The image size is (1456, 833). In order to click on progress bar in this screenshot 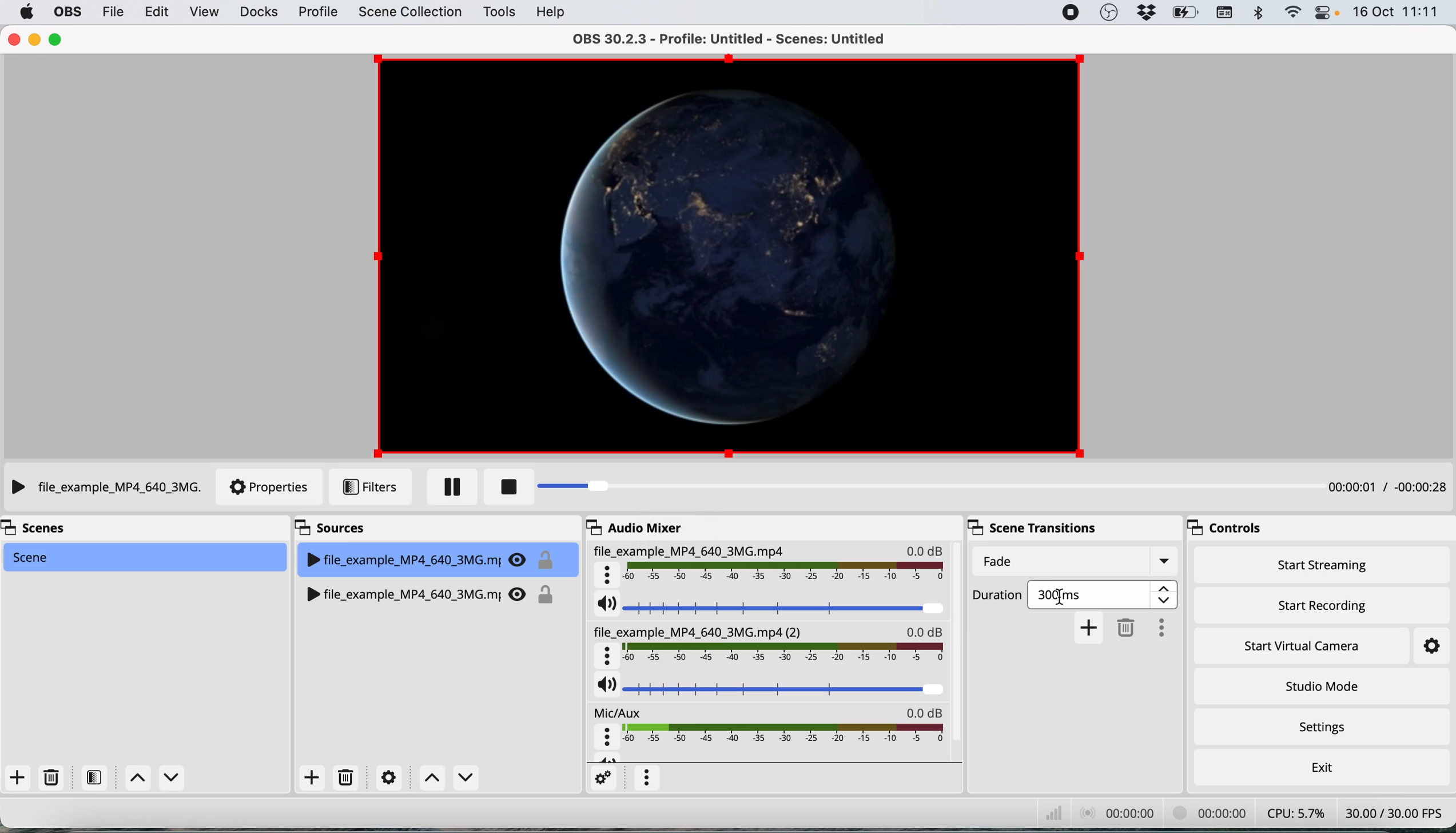, I will do `click(876, 487)`.